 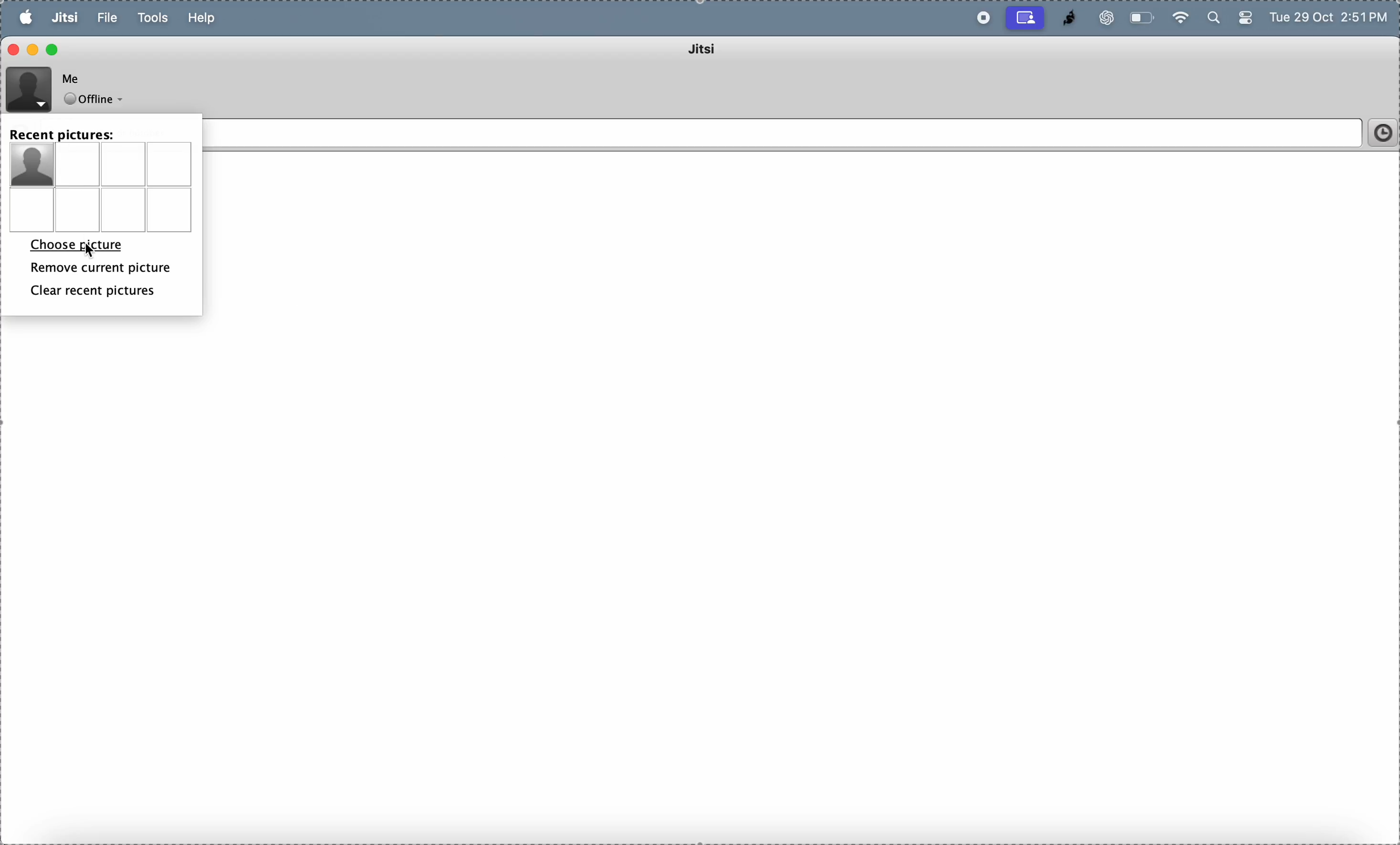 I want to click on help, so click(x=205, y=18).